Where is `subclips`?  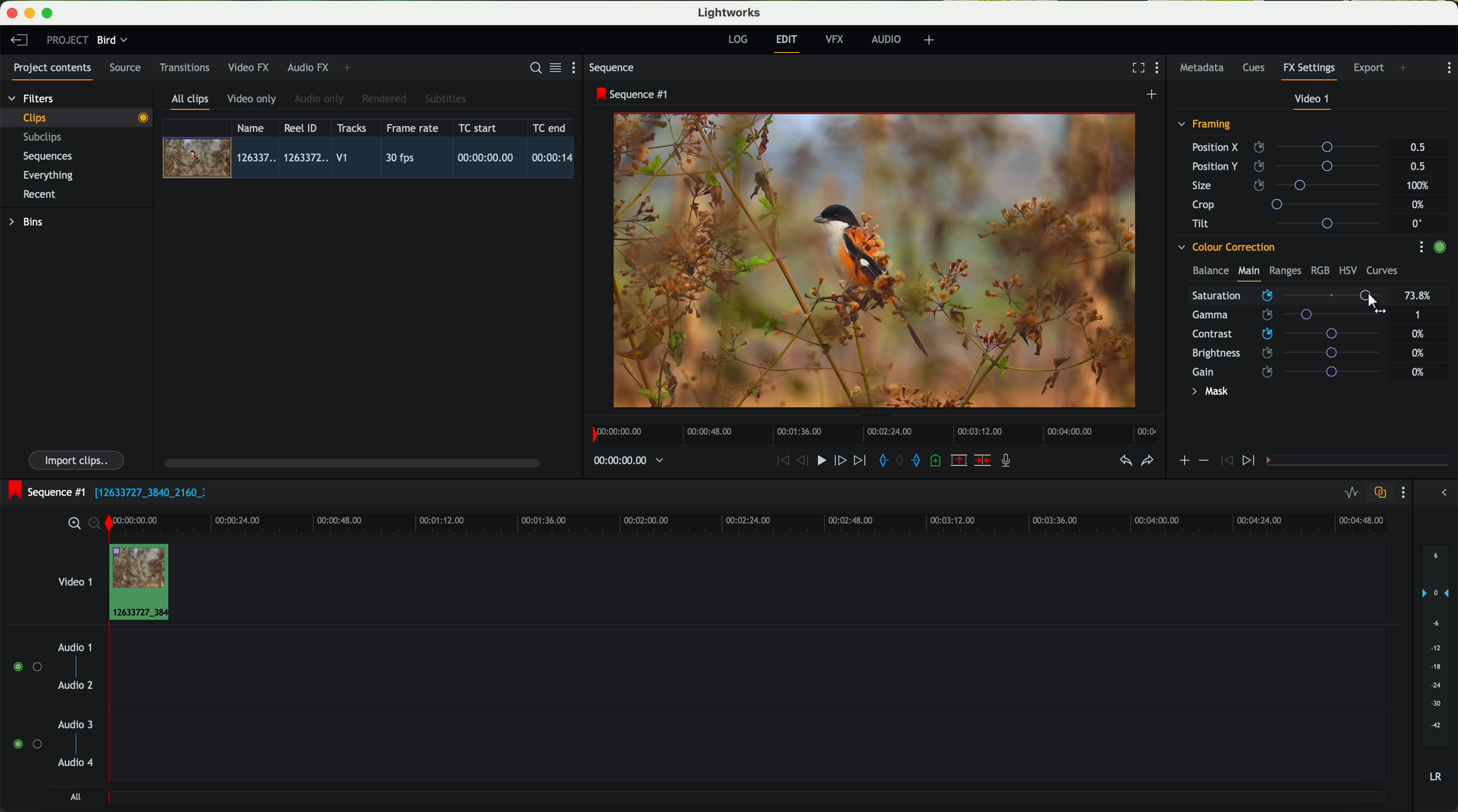 subclips is located at coordinates (45, 138).